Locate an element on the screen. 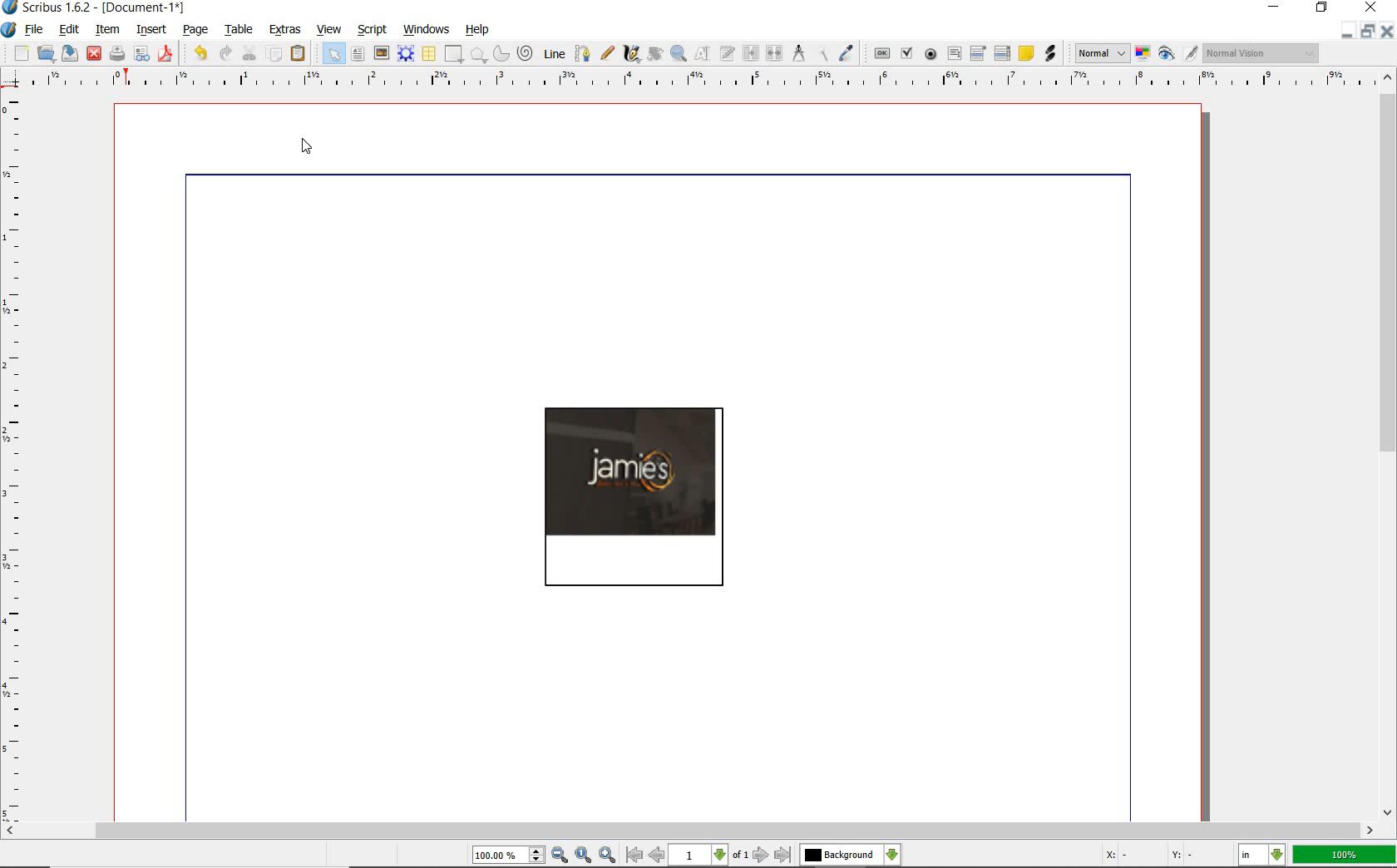 The height and width of the screenshot is (868, 1397). item is located at coordinates (107, 30).